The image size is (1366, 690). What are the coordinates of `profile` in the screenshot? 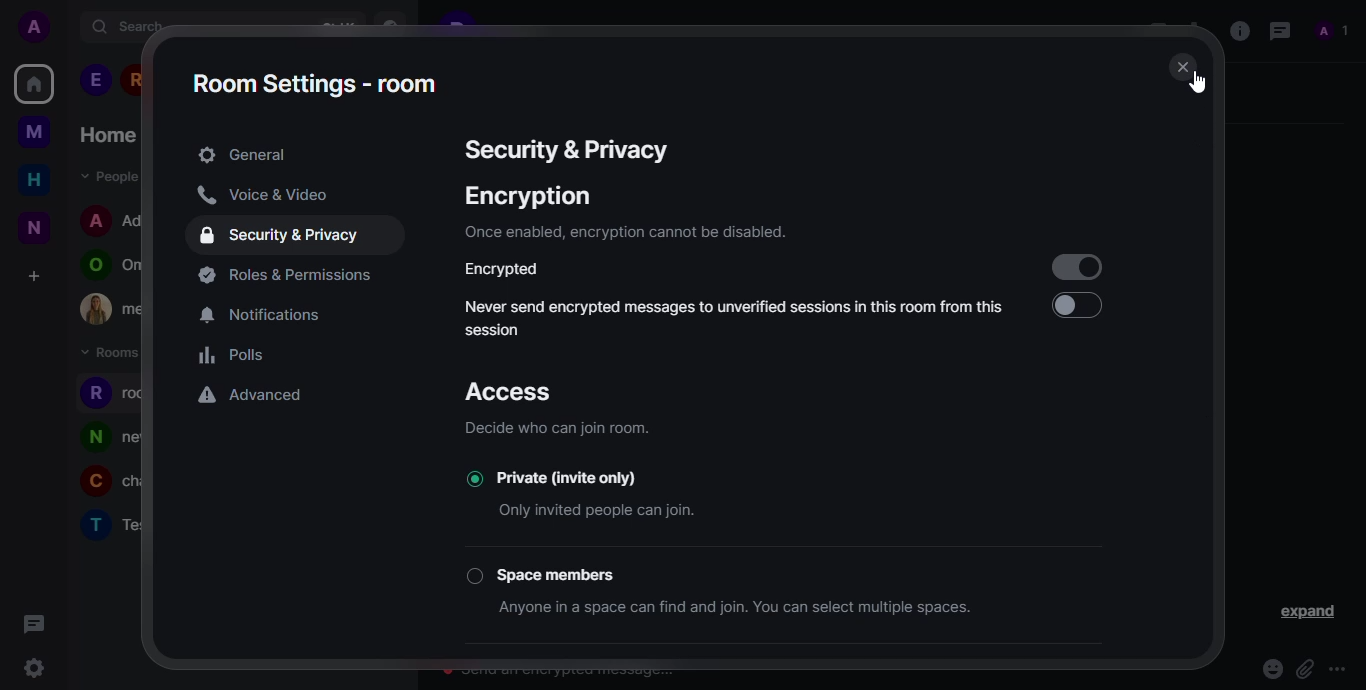 It's located at (94, 393).